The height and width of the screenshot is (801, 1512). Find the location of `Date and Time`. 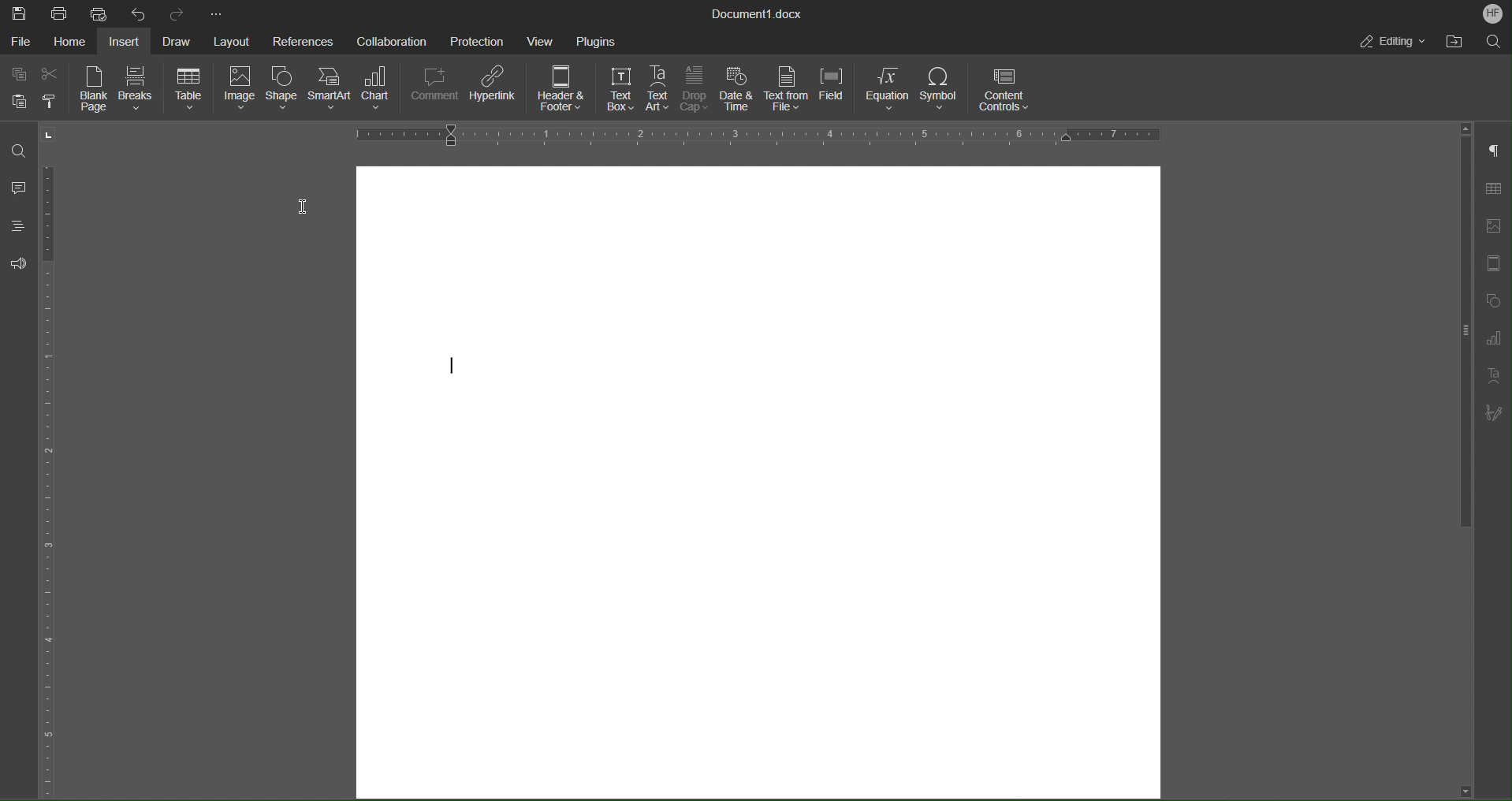

Date and Time is located at coordinates (738, 89).